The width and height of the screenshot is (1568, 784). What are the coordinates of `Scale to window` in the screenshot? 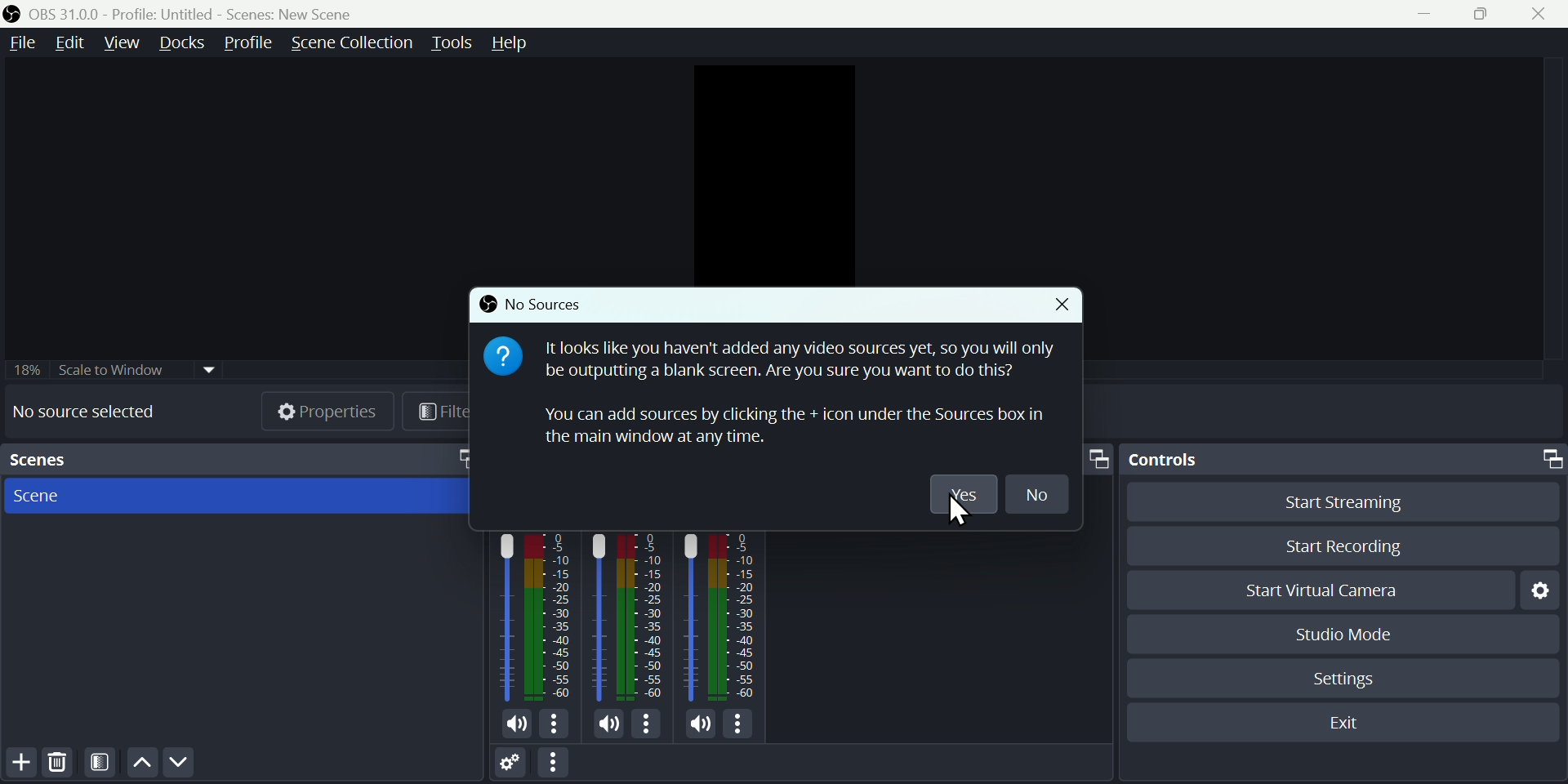 It's located at (122, 367).